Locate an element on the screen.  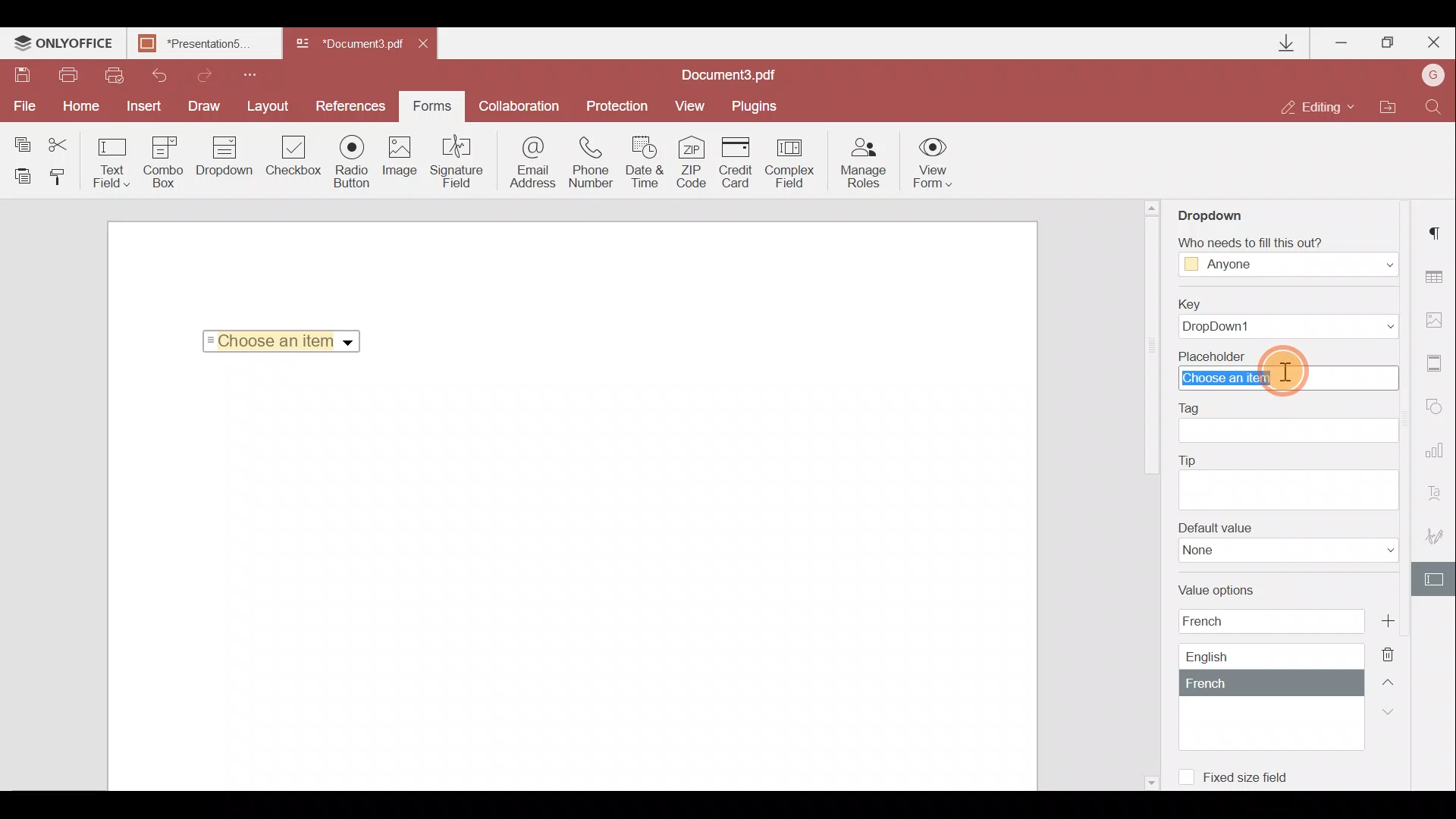
Redo is located at coordinates (197, 73).